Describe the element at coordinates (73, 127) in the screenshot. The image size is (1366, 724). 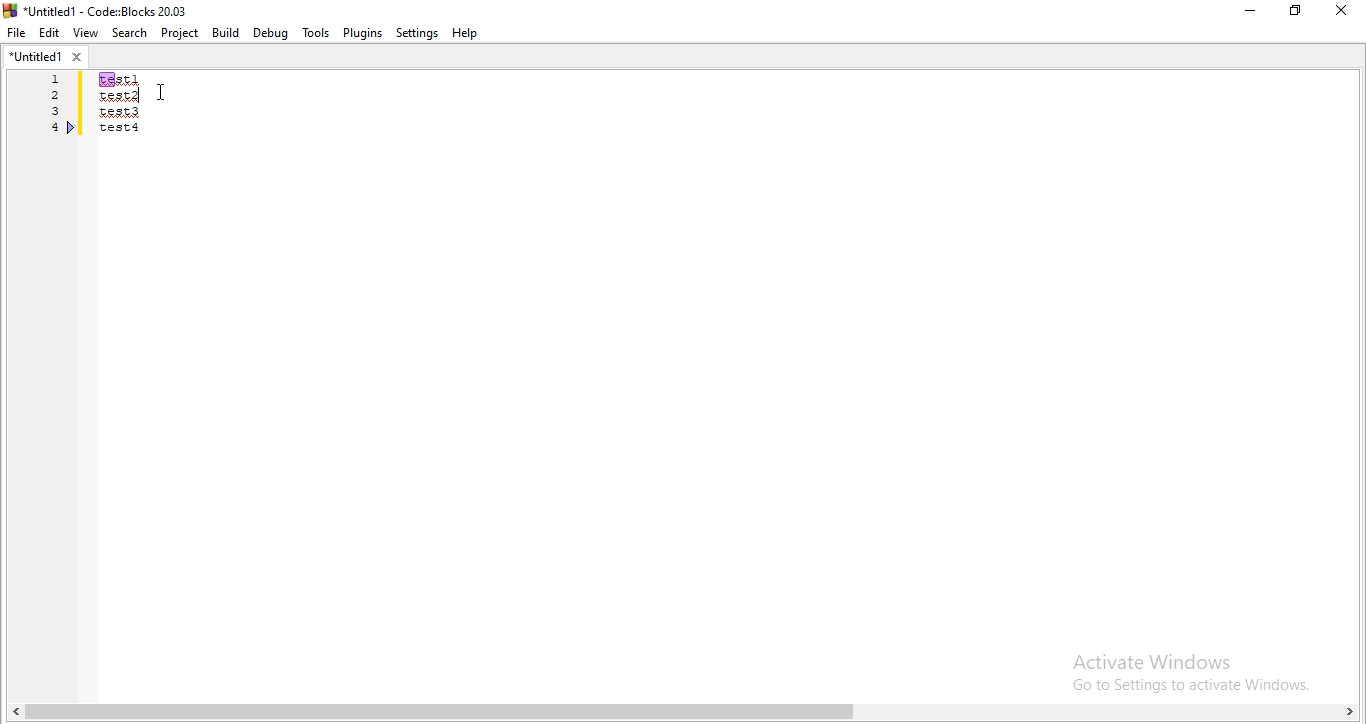
I see `bookmark` at that location.